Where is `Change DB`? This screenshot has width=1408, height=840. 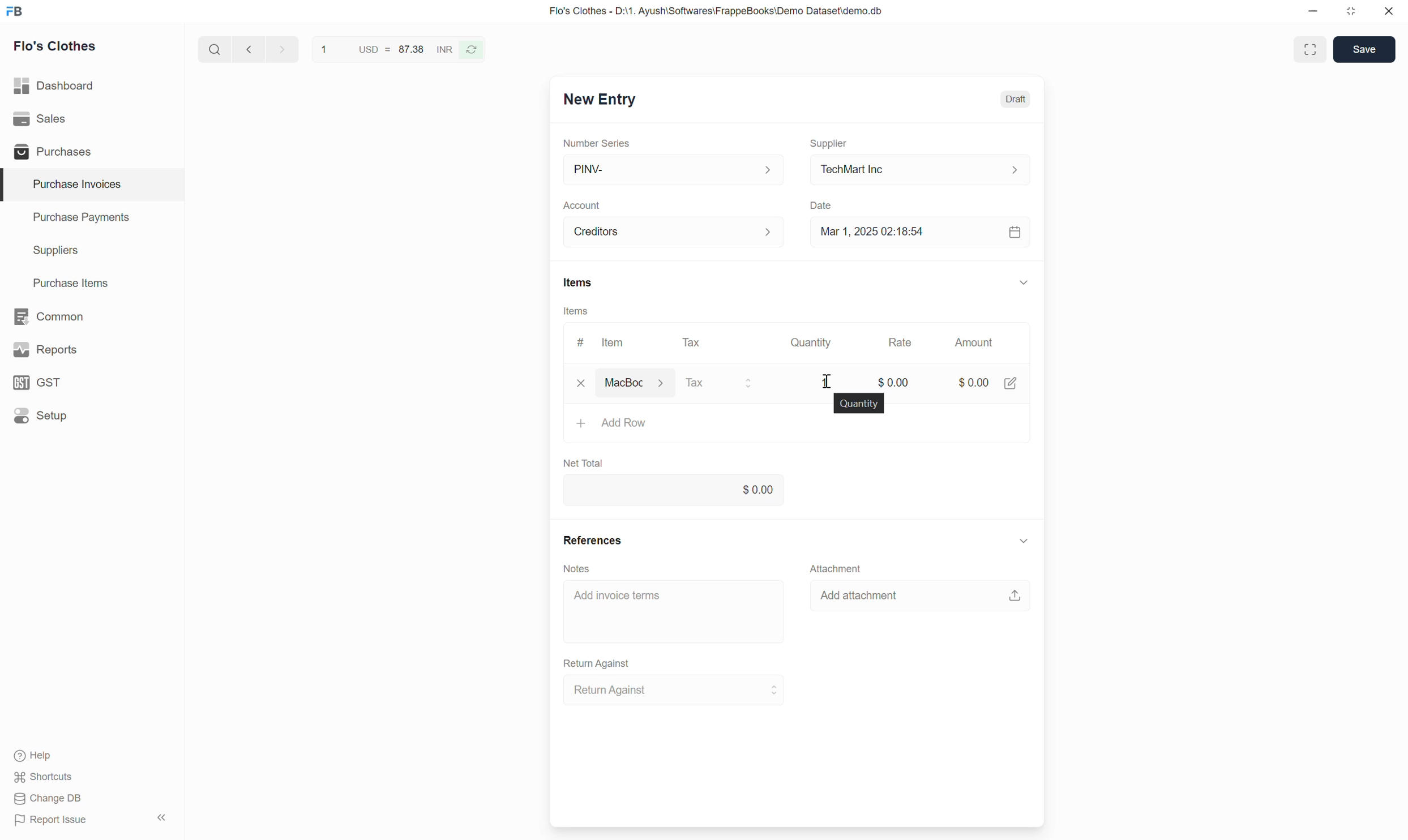 Change DB is located at coordinates (49, 798).